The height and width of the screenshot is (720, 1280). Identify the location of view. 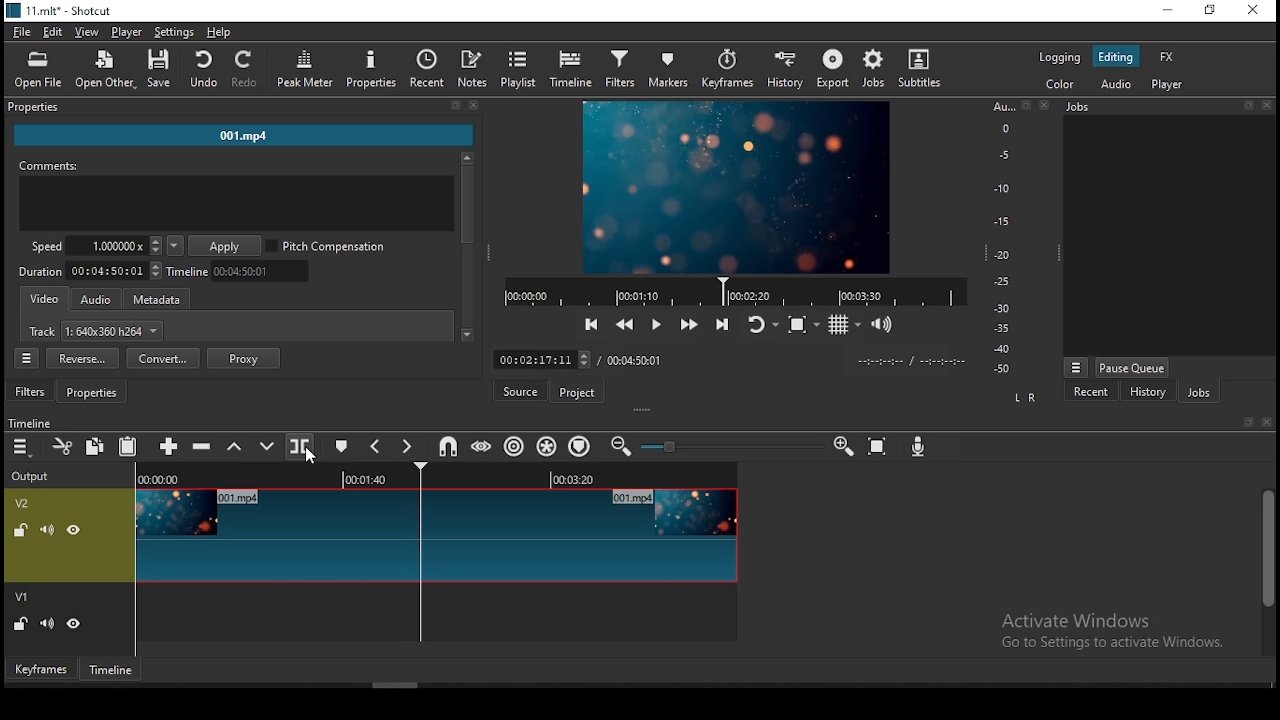
(87, 33).